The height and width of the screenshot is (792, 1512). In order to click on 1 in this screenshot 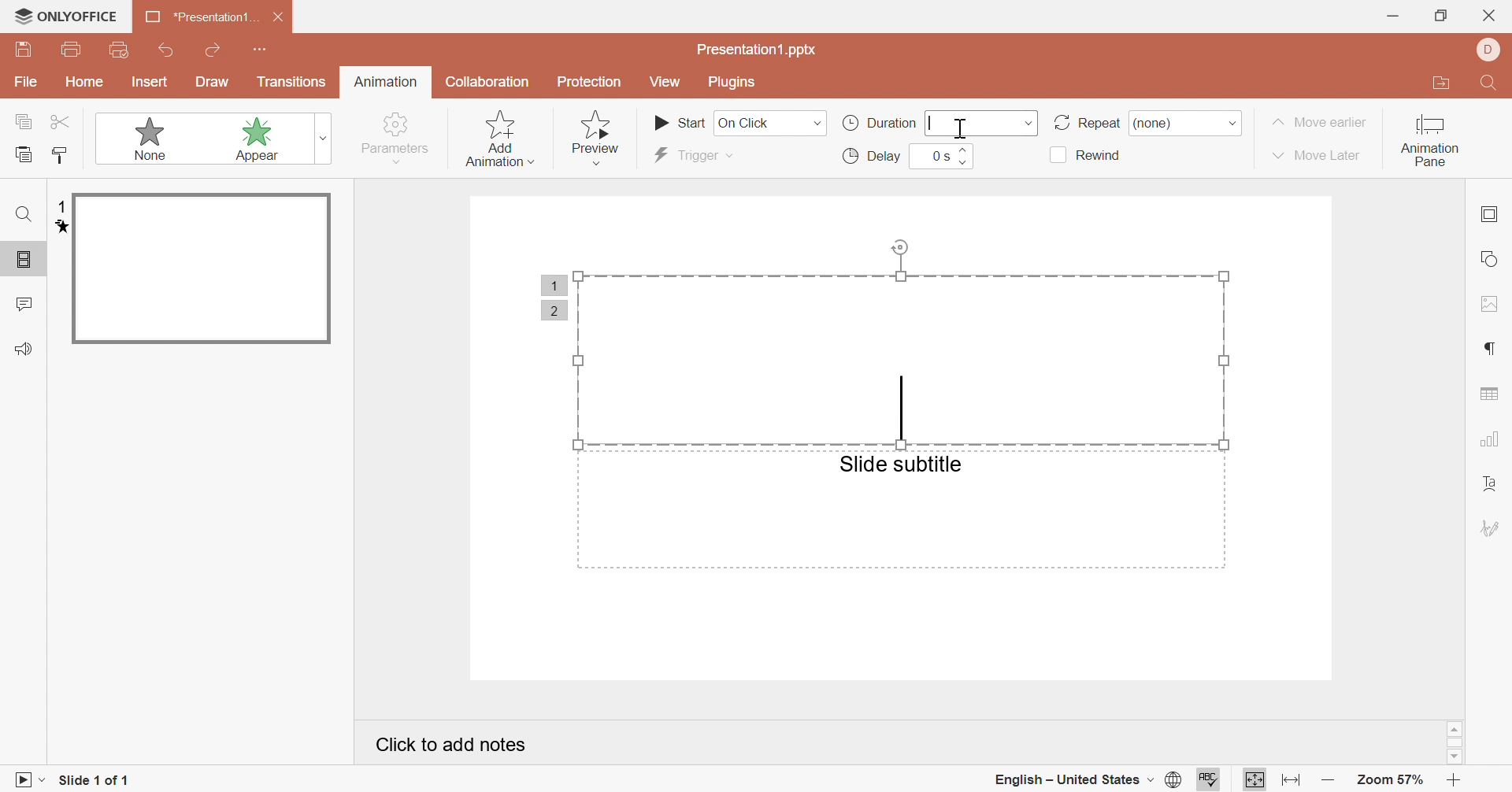, I will do `click(553, 285)`.